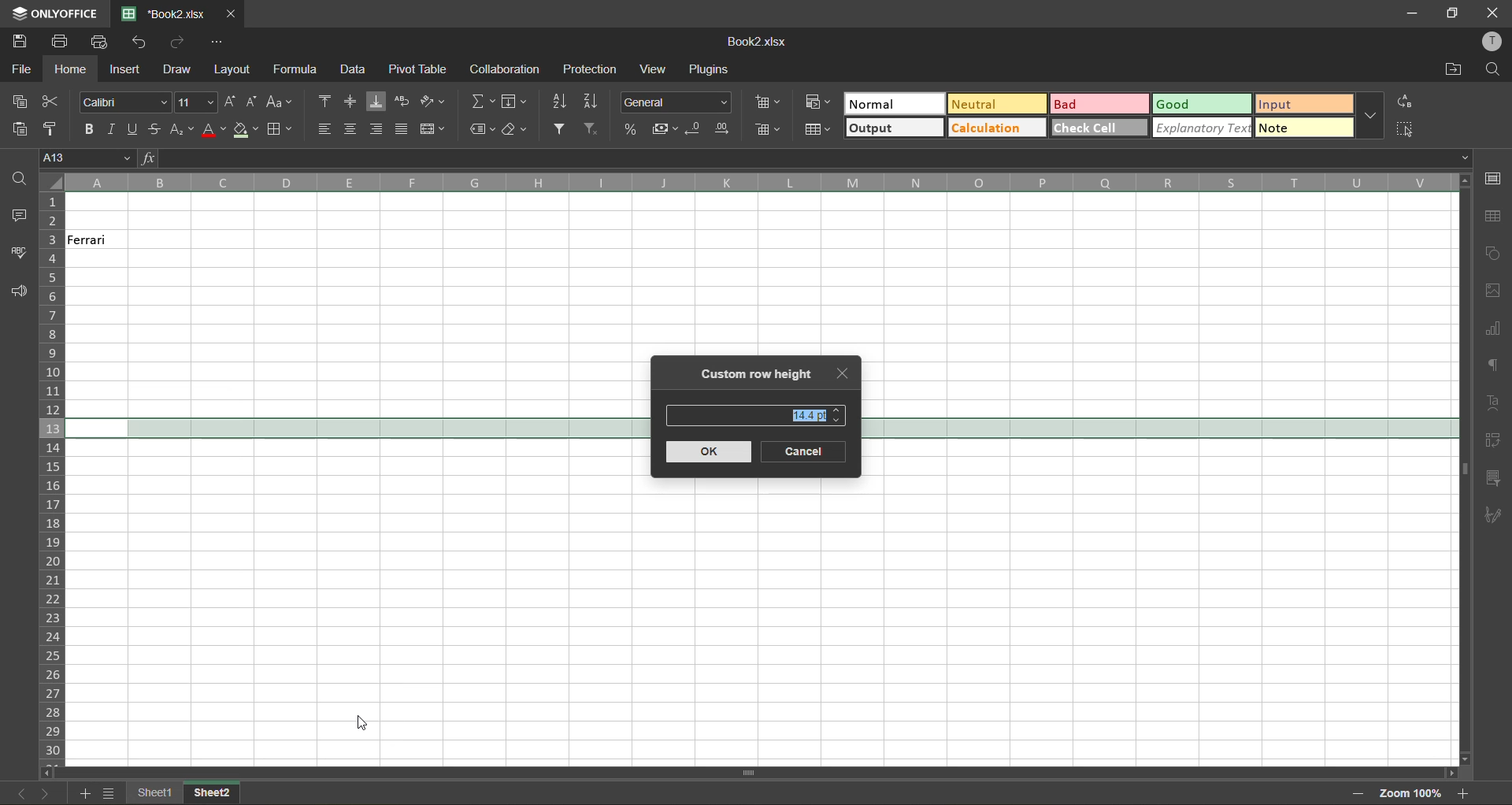 This screenshot has height=805, width=1512. I want to click on conditional formatting, so click(817, 102).